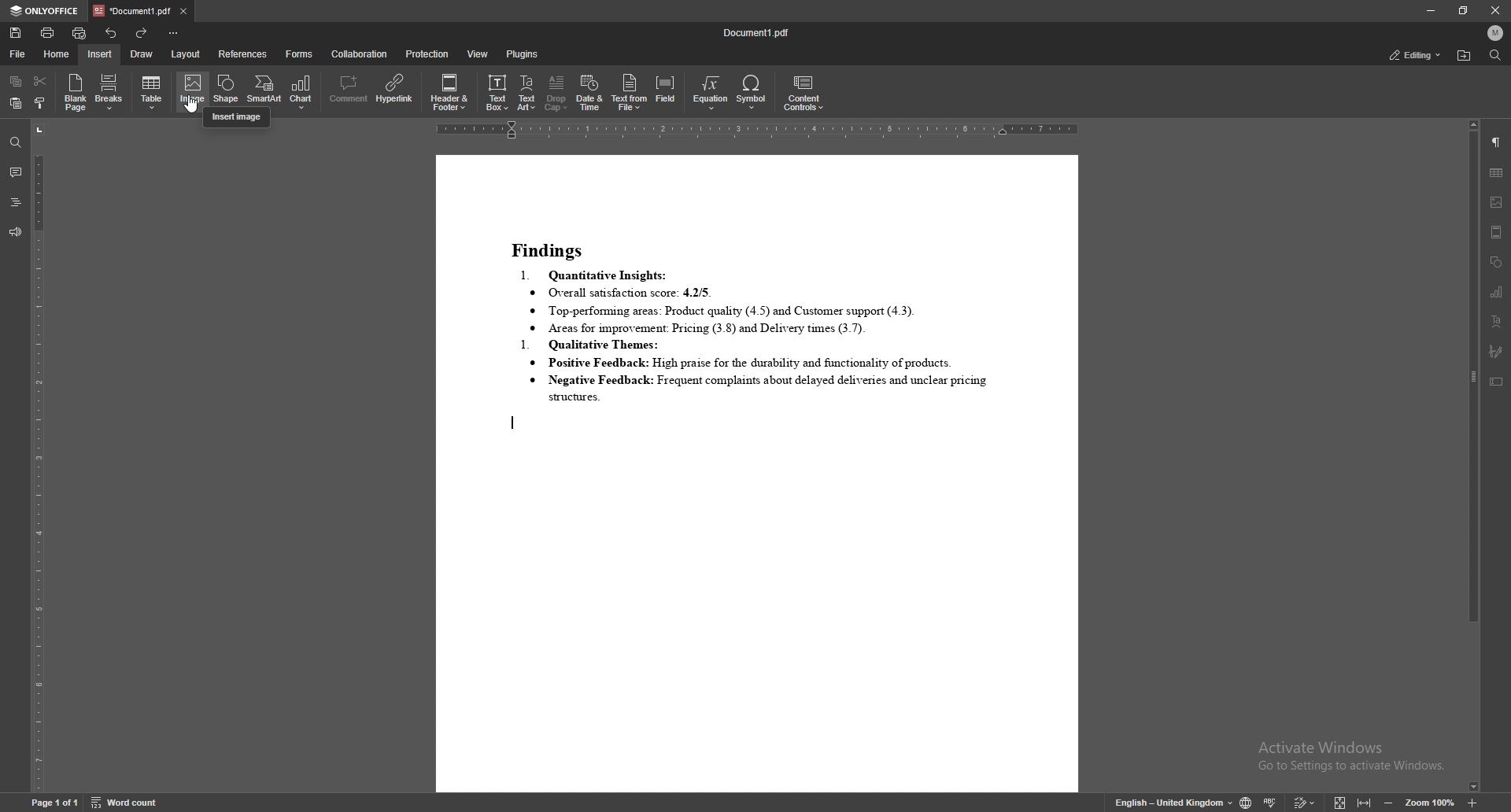 The height and width of the screenshot is (812, 1511). Describe the element at coordinates (14, 233) in the screenshot. I see `feedback` at that location.